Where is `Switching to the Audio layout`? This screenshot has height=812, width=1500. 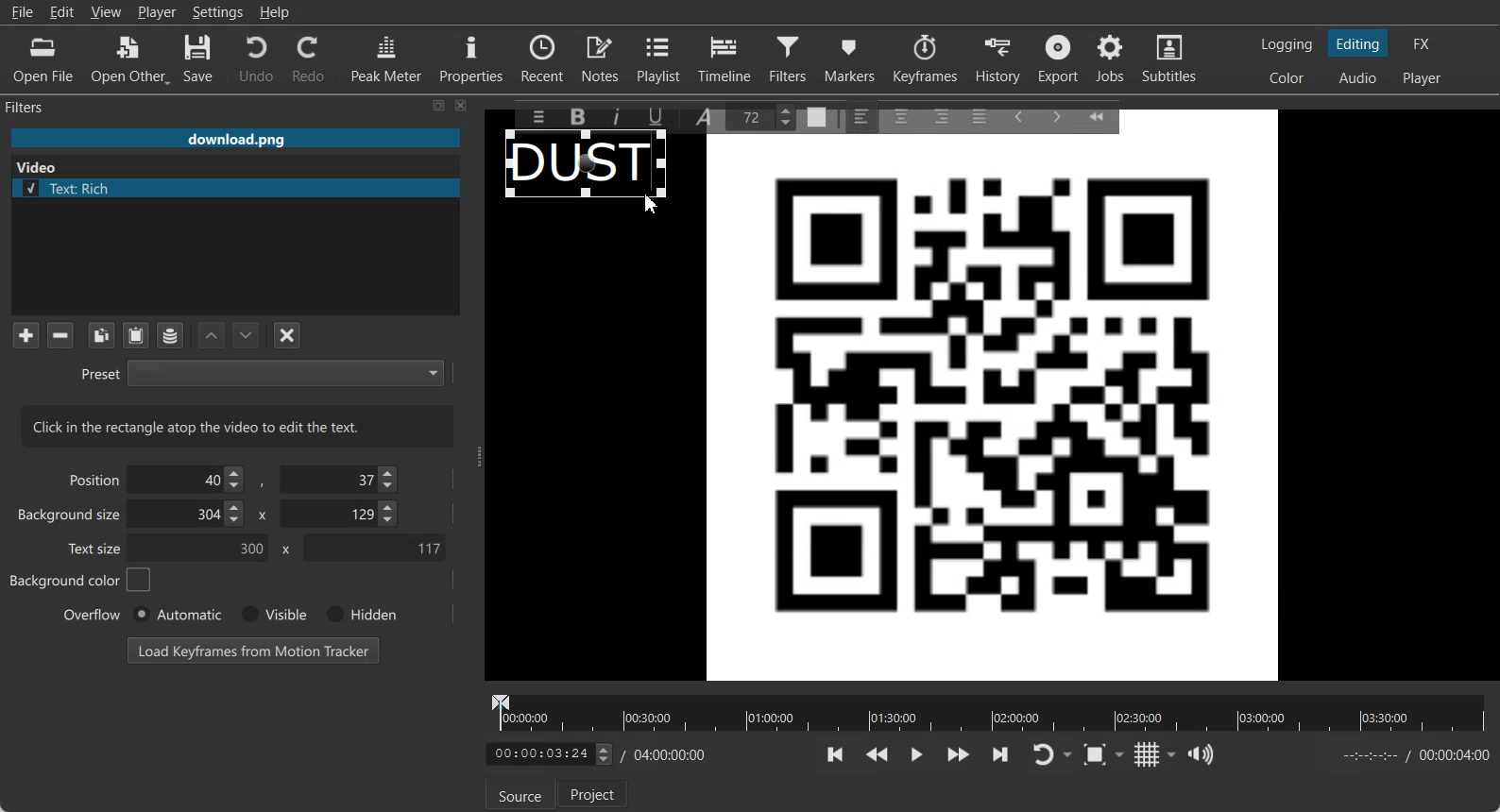 Switching to the Audio layout is located at coordinates (1359, 78).